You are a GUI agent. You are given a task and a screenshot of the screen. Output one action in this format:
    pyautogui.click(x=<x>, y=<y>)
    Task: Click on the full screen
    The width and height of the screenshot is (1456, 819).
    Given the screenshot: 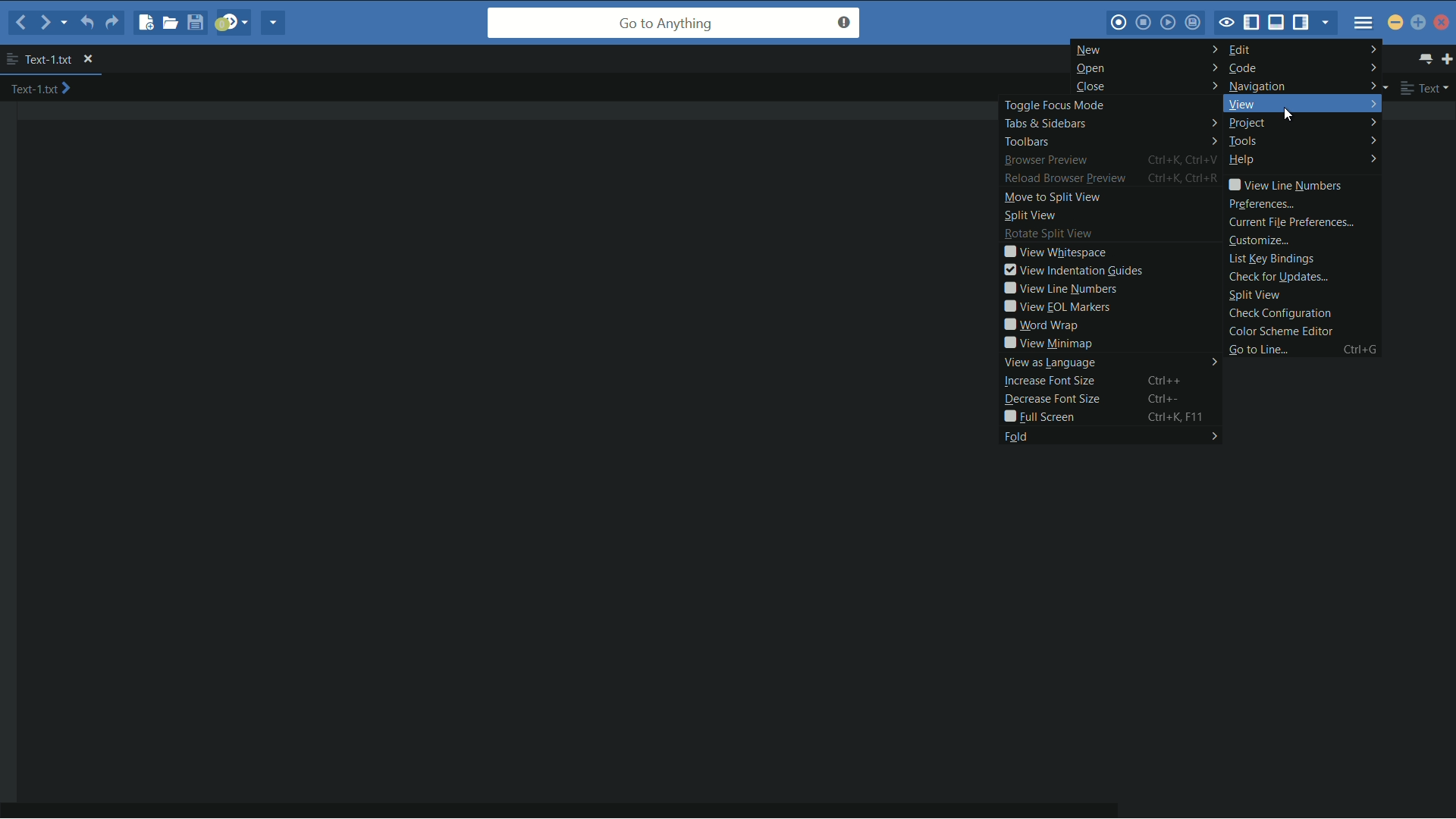 What is the action you would take?
    pyautogui.click(x=1038, y=419)
    